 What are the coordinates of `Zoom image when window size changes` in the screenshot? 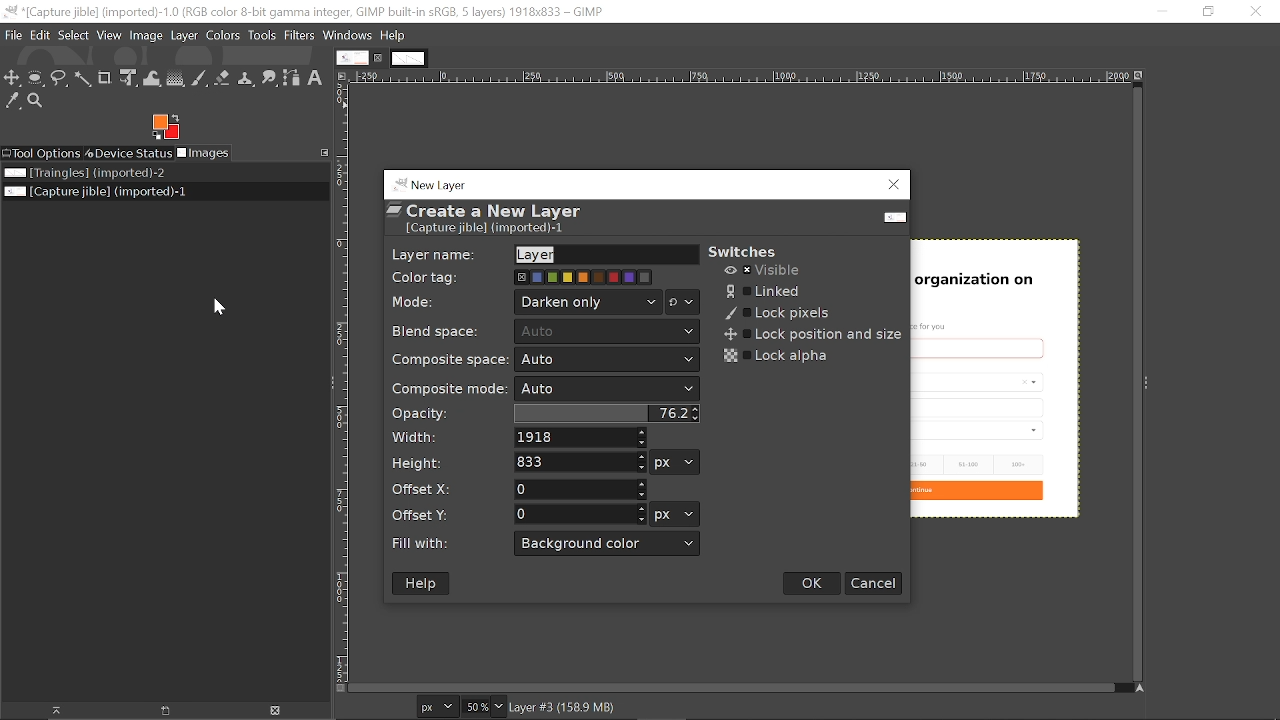 It's located at (1140, 74).